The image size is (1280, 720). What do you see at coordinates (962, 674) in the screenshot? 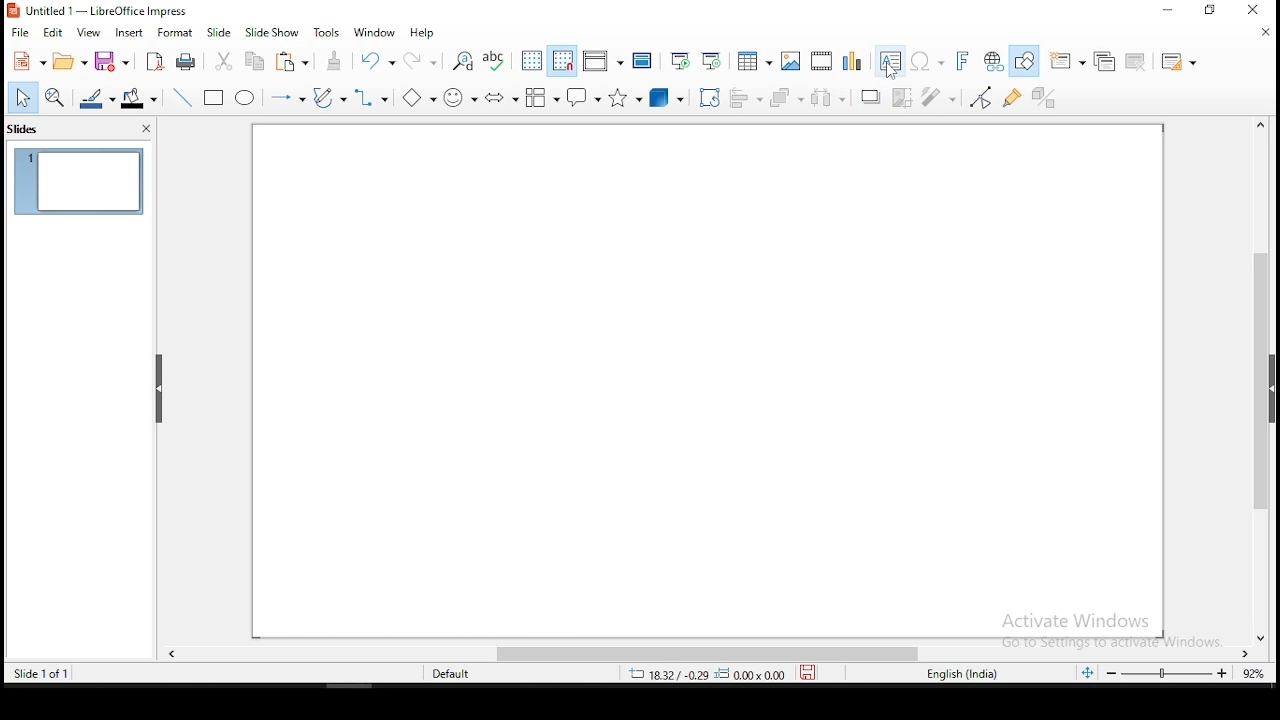
I see `English (India)` at bounding box center [962, 674].